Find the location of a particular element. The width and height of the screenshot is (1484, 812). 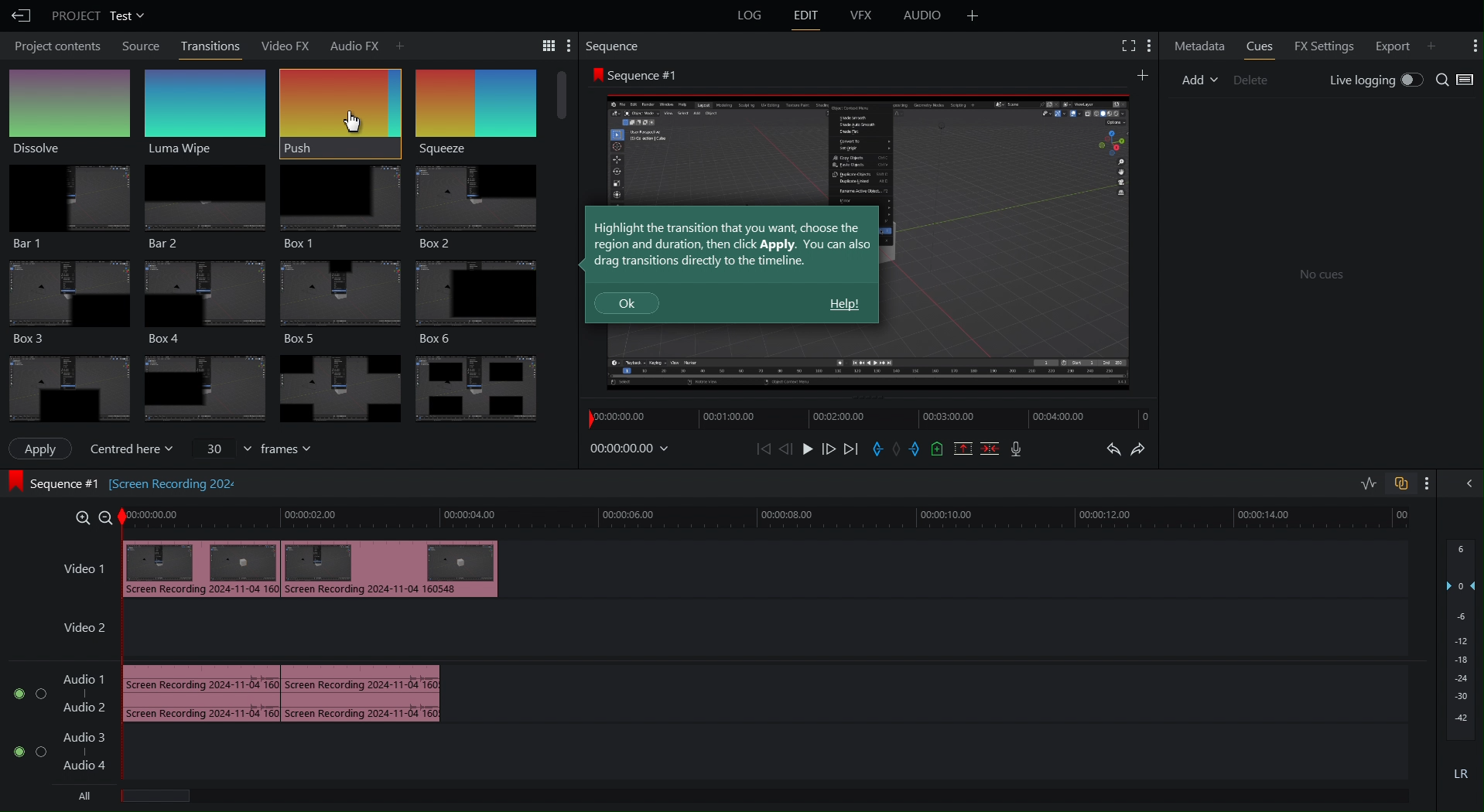

Delete/Cut is located at coordinates (990, 448).